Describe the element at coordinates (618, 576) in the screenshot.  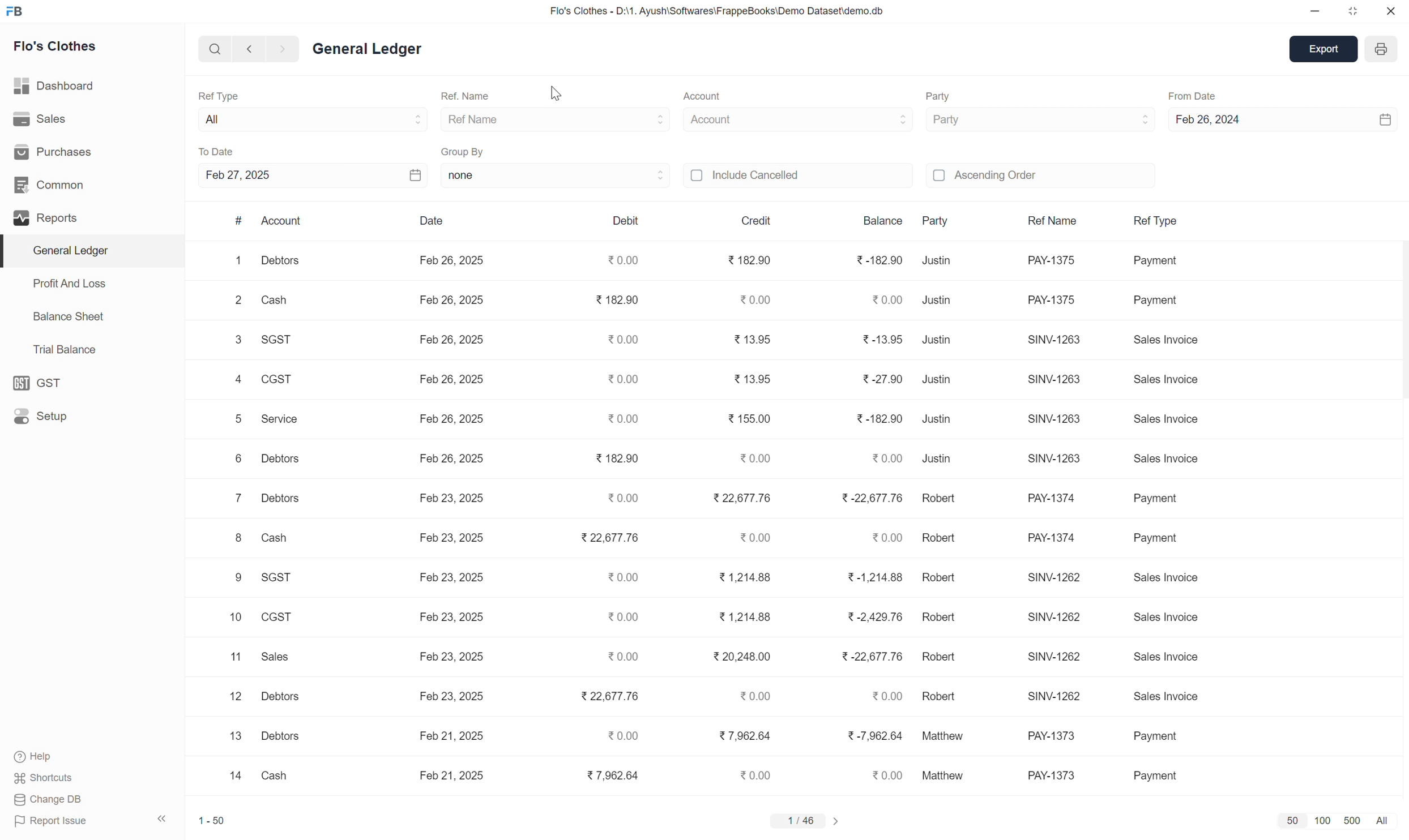
I see `0.00` at that location.